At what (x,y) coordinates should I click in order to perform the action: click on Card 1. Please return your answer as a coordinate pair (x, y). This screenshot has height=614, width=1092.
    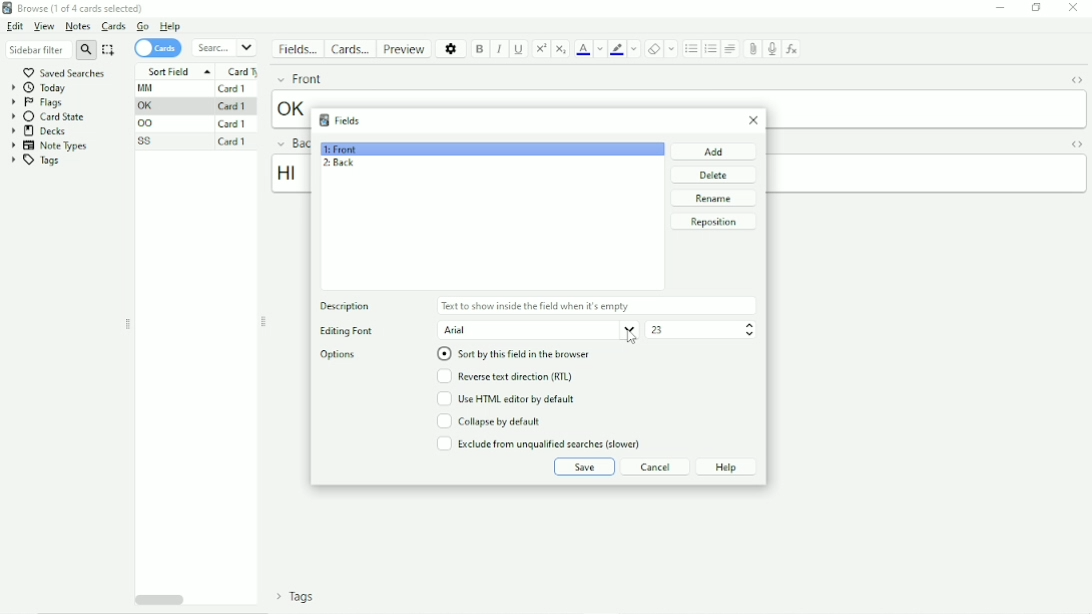
    Looking at the image, I should click on (233, 124).